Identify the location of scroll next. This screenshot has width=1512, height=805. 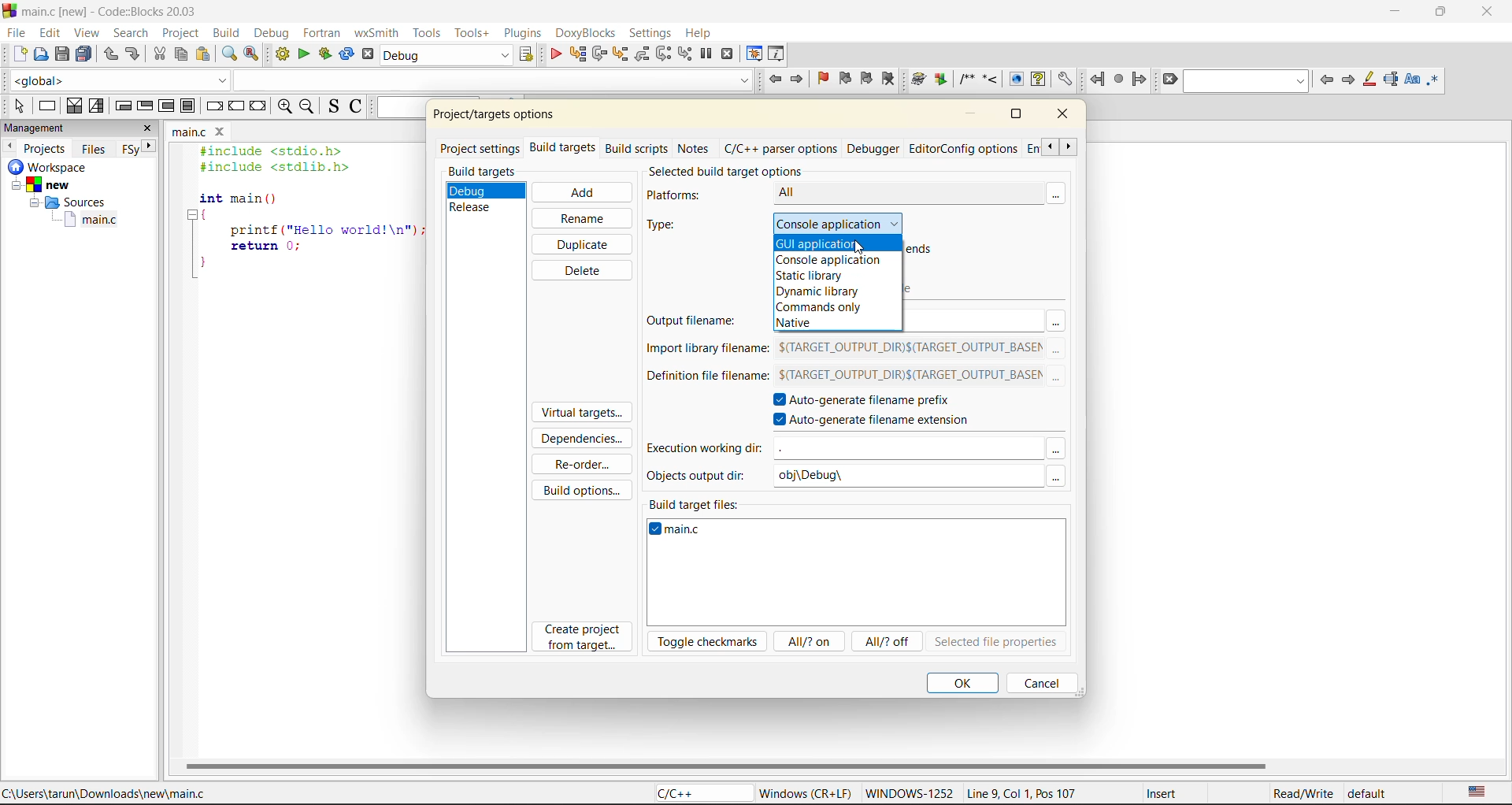
(1070, 146).